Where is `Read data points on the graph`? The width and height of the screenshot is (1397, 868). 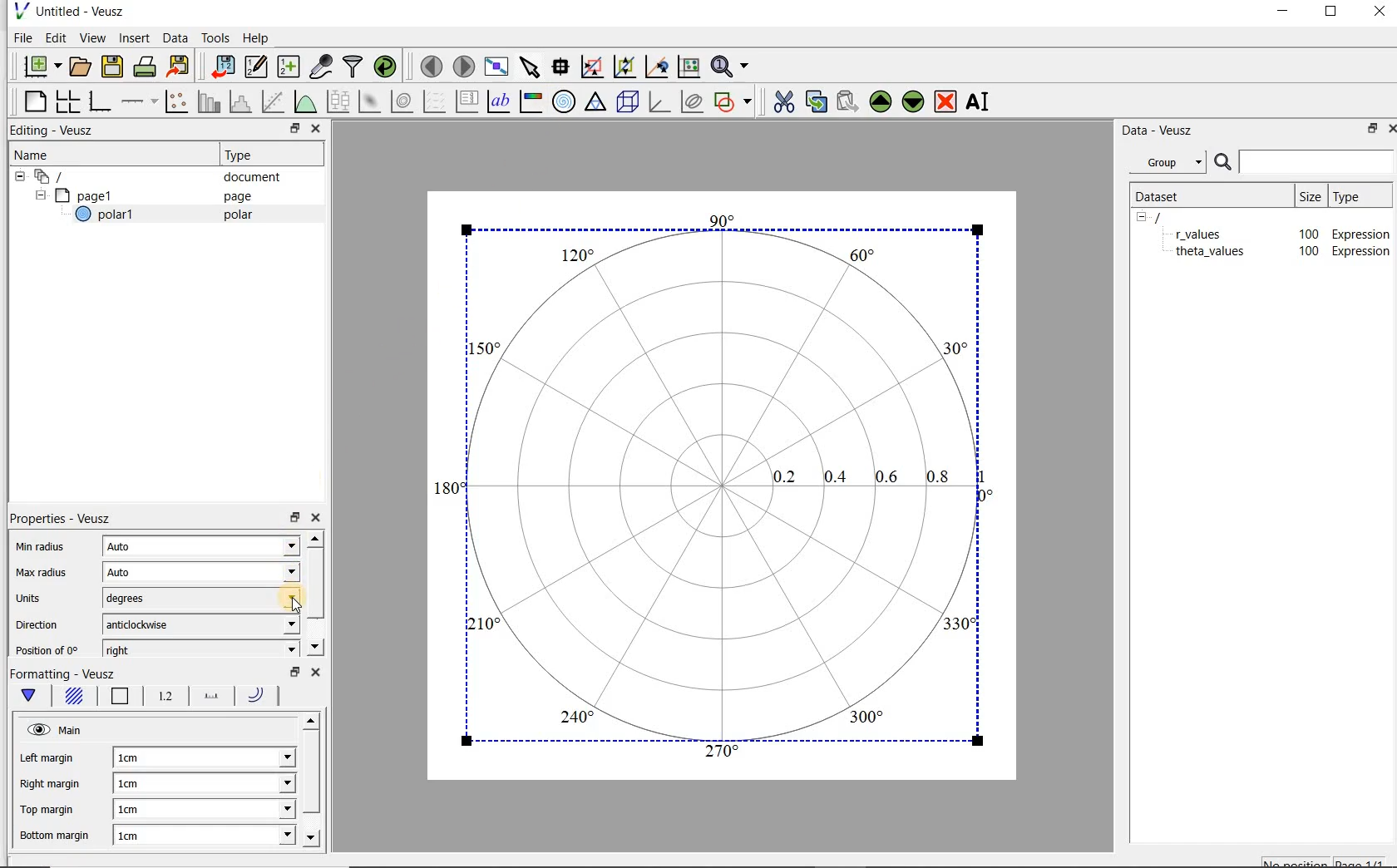
Read data points on the graph is located at coordinates (563, 67).